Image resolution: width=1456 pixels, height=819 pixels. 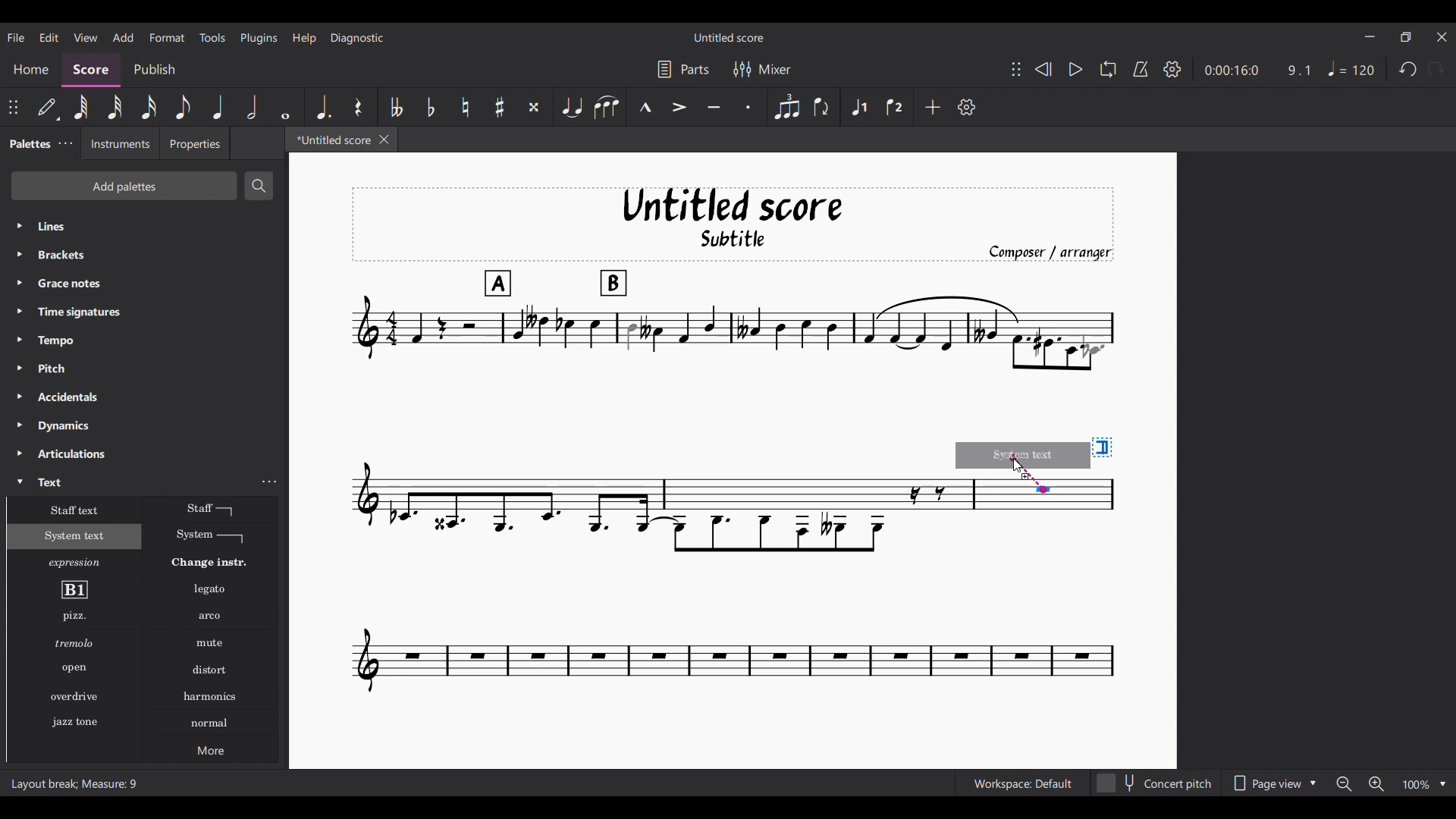 What do you see at coordinates (124, 186) in the screenshot?
I see `Add palettes` at bounding box center [124, 186].